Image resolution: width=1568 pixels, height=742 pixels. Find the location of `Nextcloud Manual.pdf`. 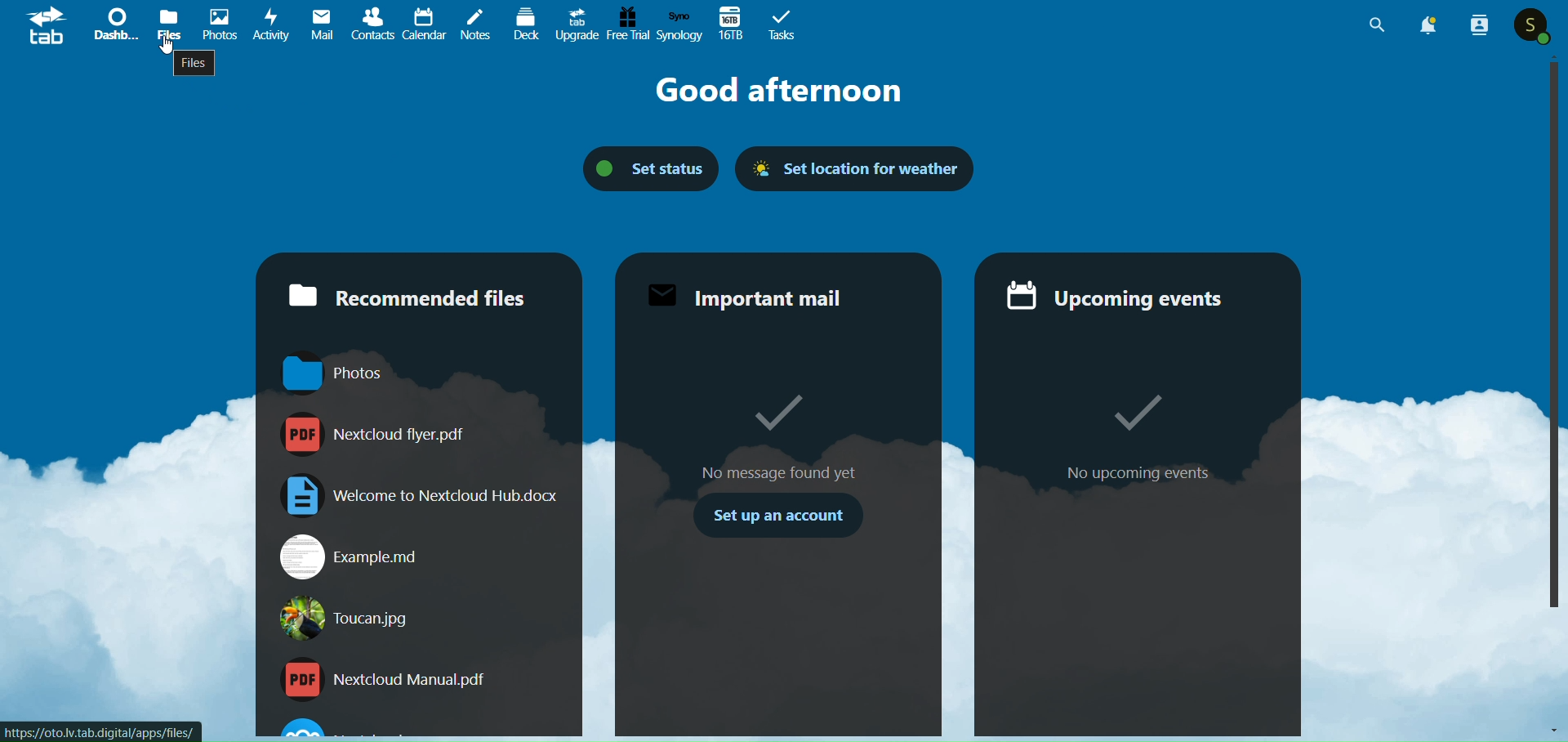

Nextcloud Manual.pdf is located at coordinates (420, 680).